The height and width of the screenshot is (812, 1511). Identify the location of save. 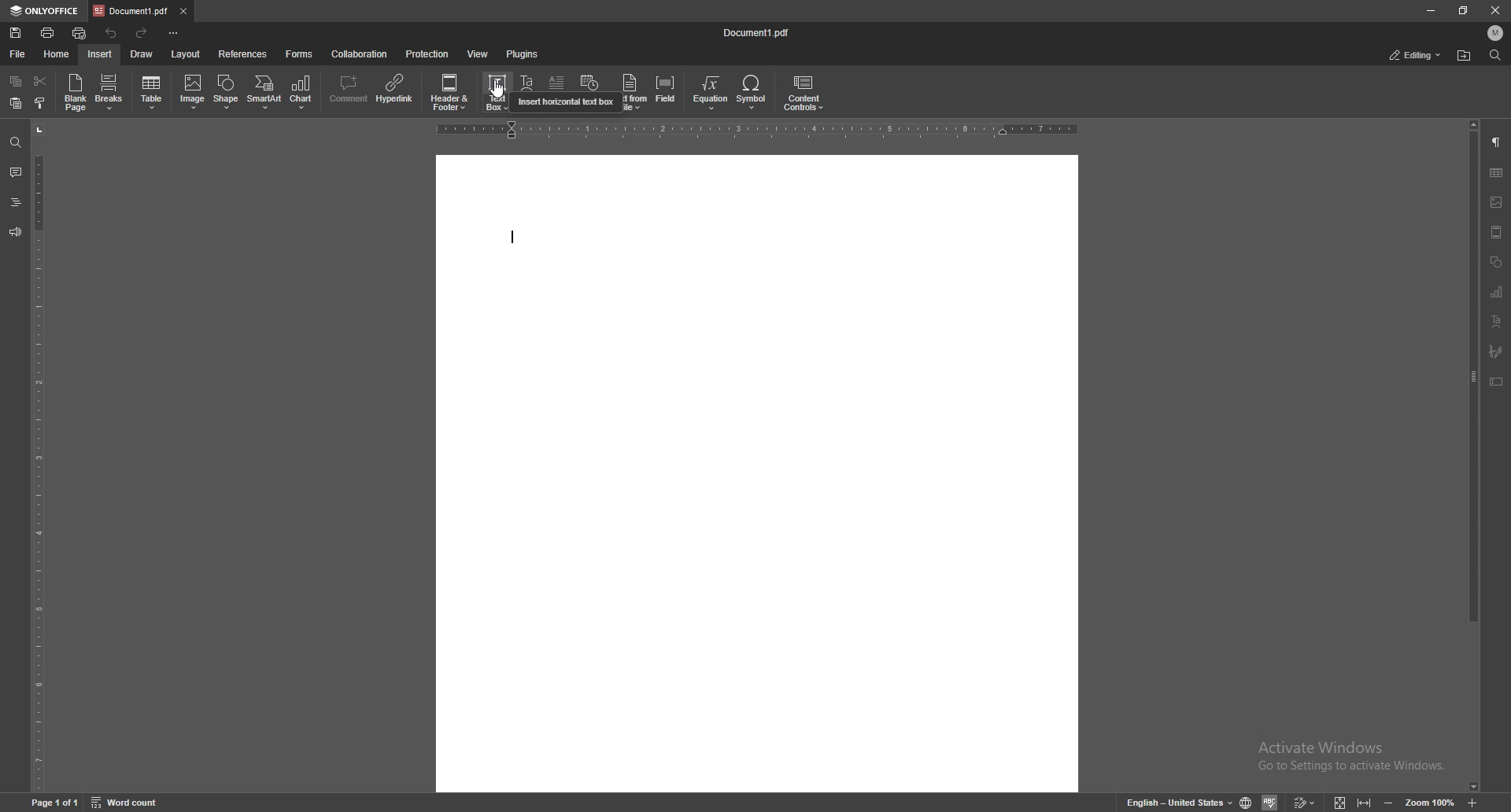
(15, 33).